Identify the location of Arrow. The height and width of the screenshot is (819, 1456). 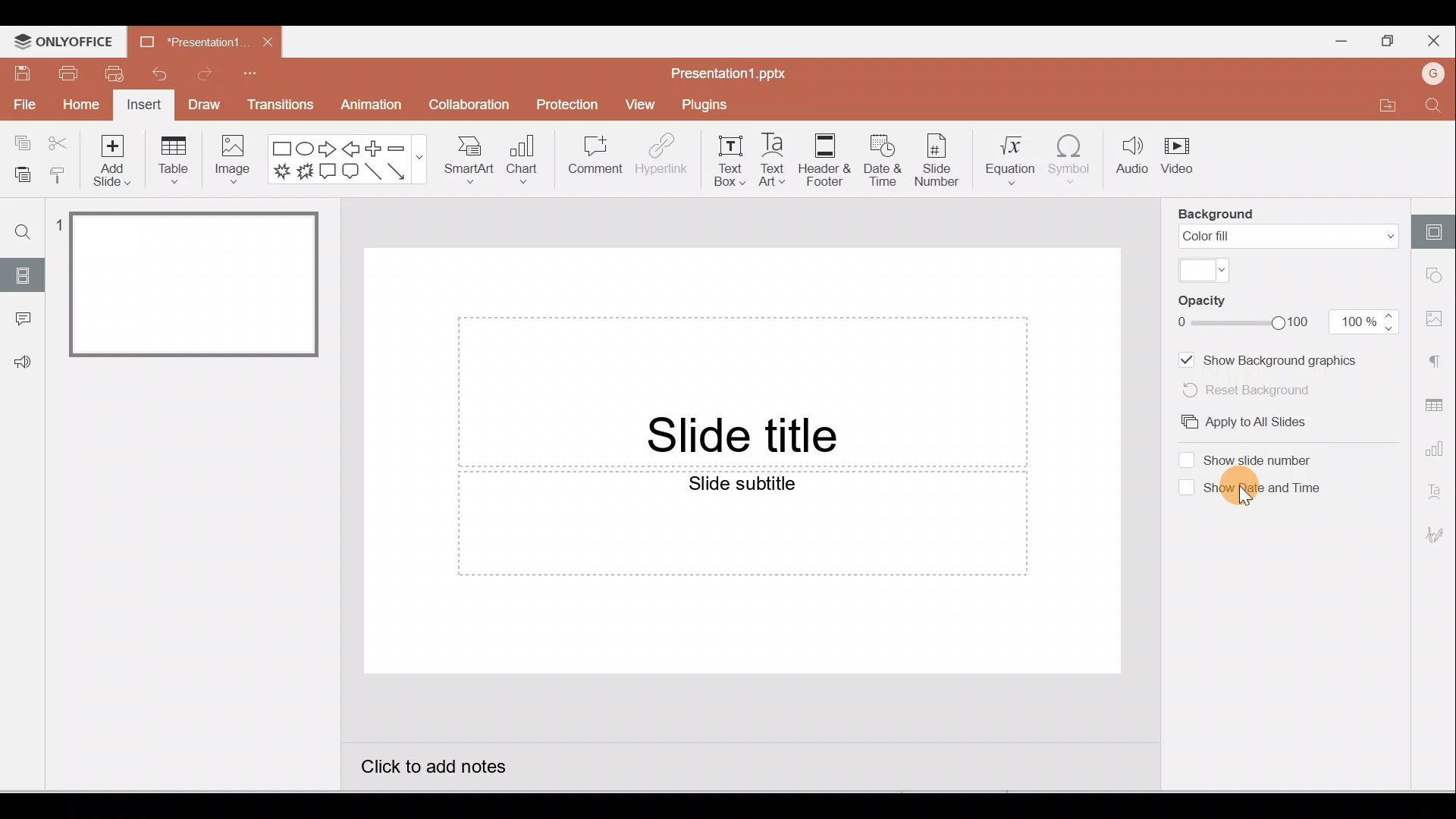
(397, 171).